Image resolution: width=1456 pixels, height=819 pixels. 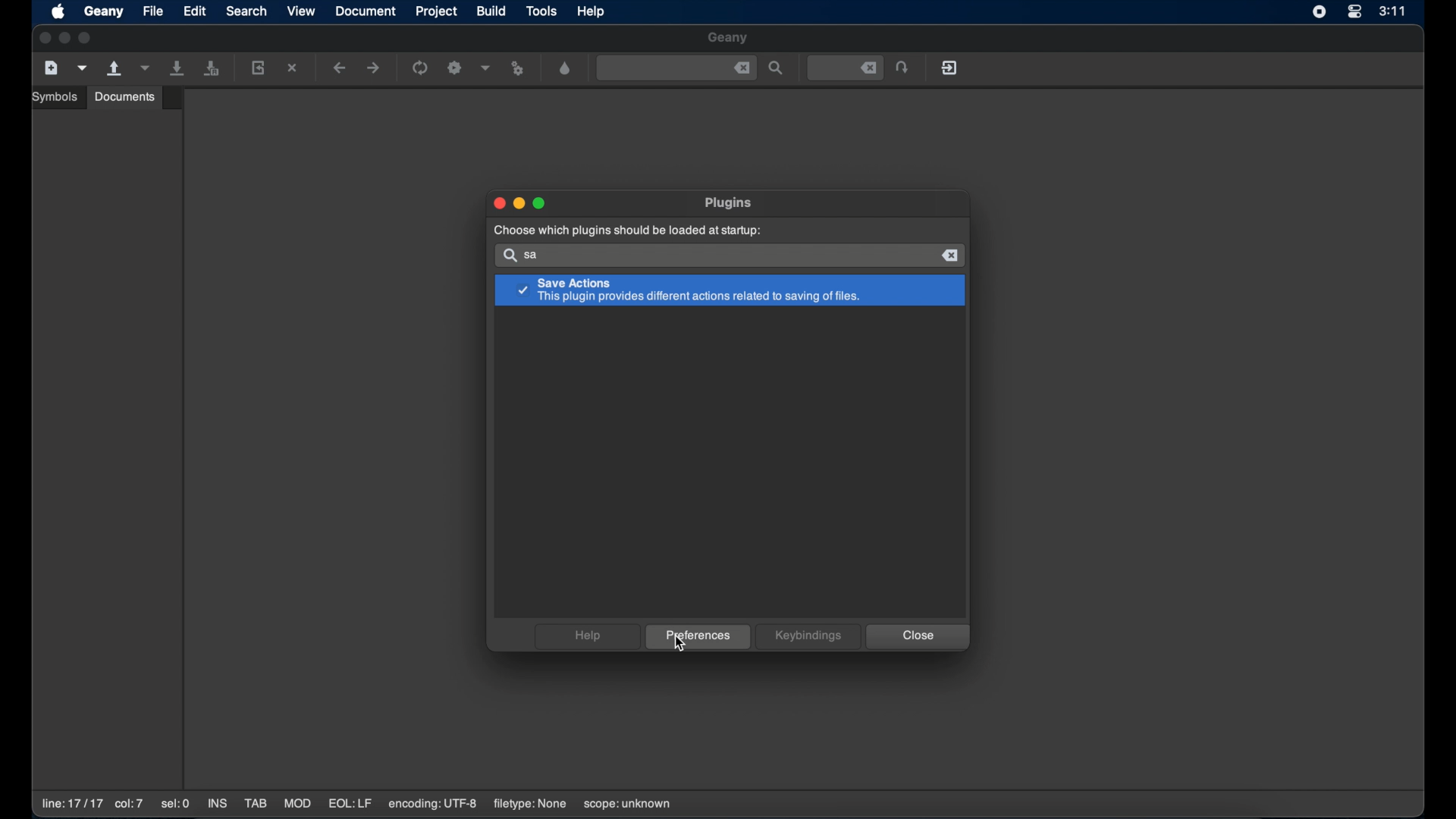 What do you see at coordinates (297, 804) in the screenshot?
I see `MOD` at bounding box center [297, 804].